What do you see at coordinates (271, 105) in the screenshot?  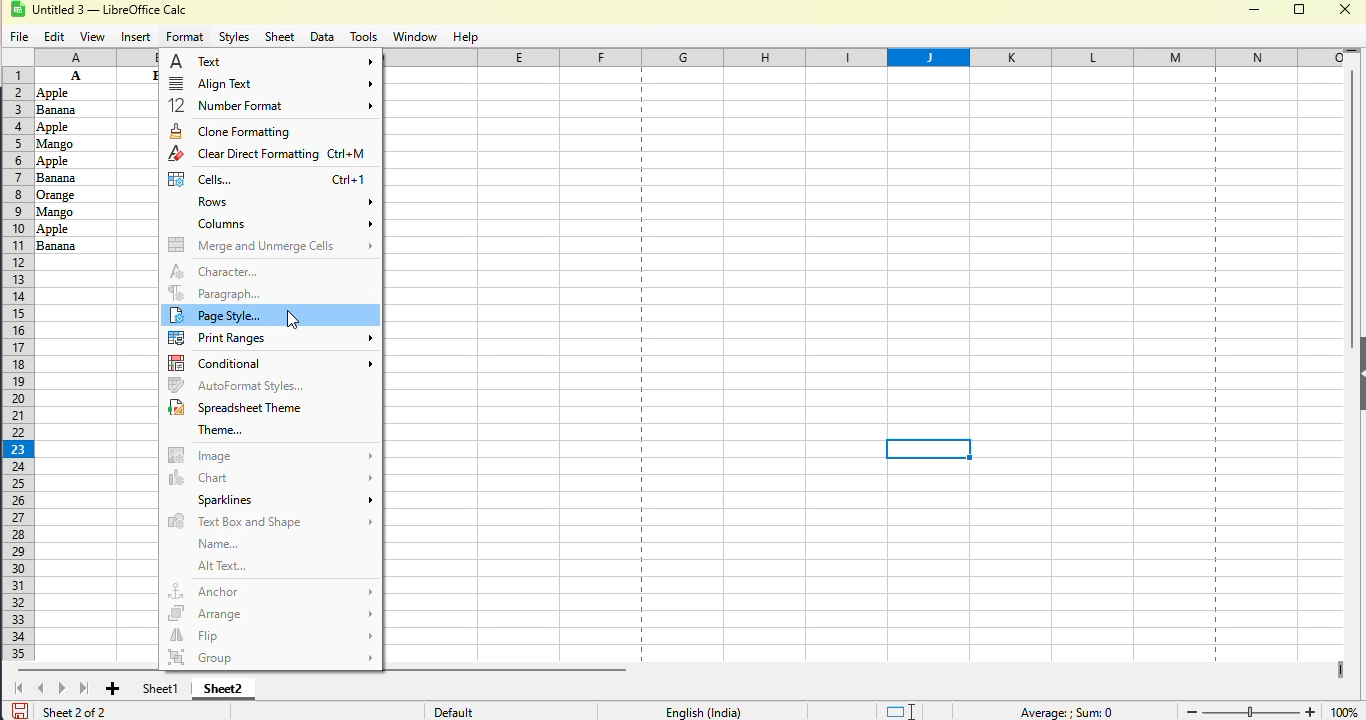 I see `number format` at bounding box center [271, 105].